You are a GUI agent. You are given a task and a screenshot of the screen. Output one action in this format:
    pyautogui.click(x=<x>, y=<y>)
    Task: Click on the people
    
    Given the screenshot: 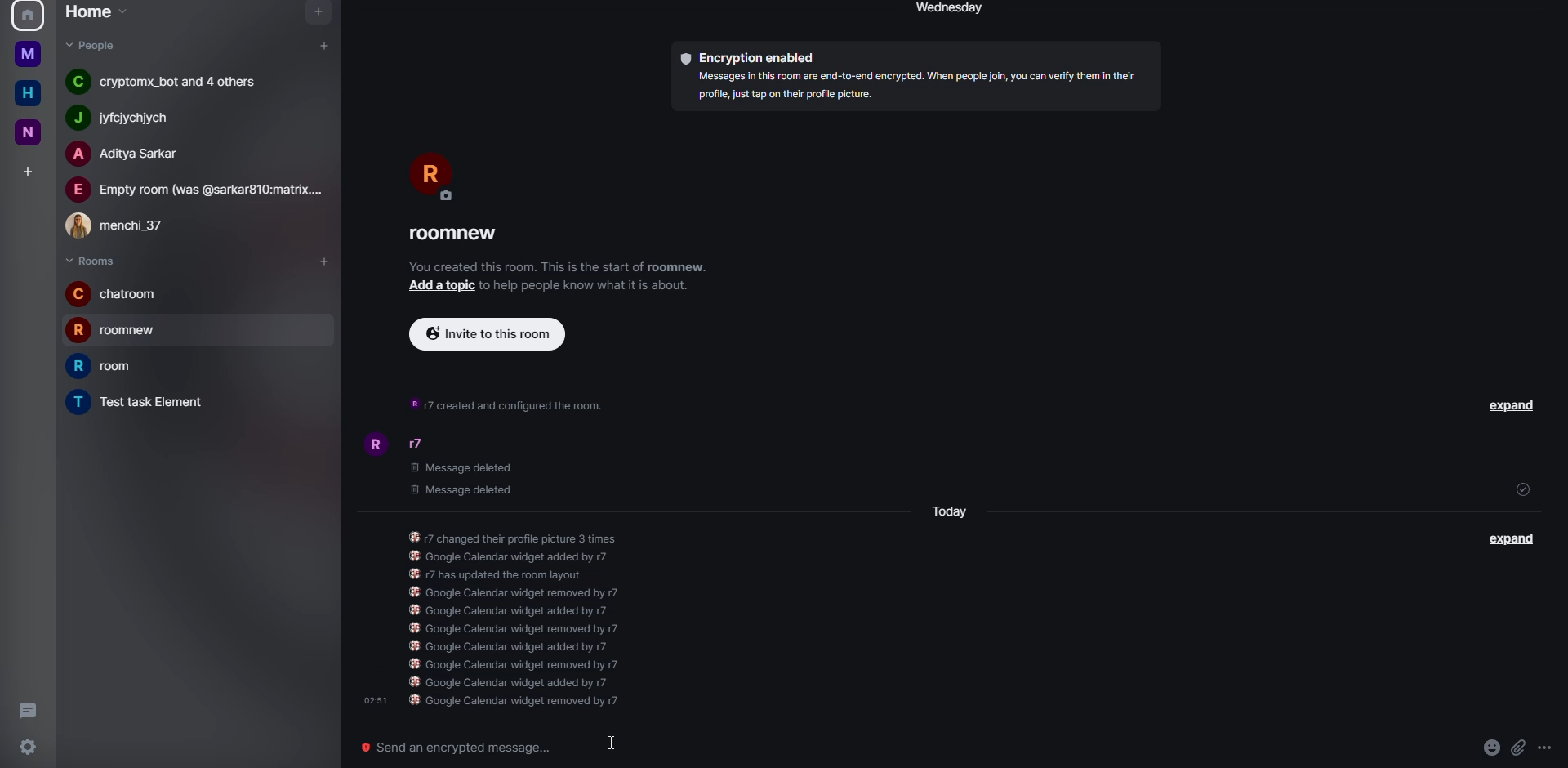 What is the action you would take?
    pyautogui.click(x=136, y=118)
    